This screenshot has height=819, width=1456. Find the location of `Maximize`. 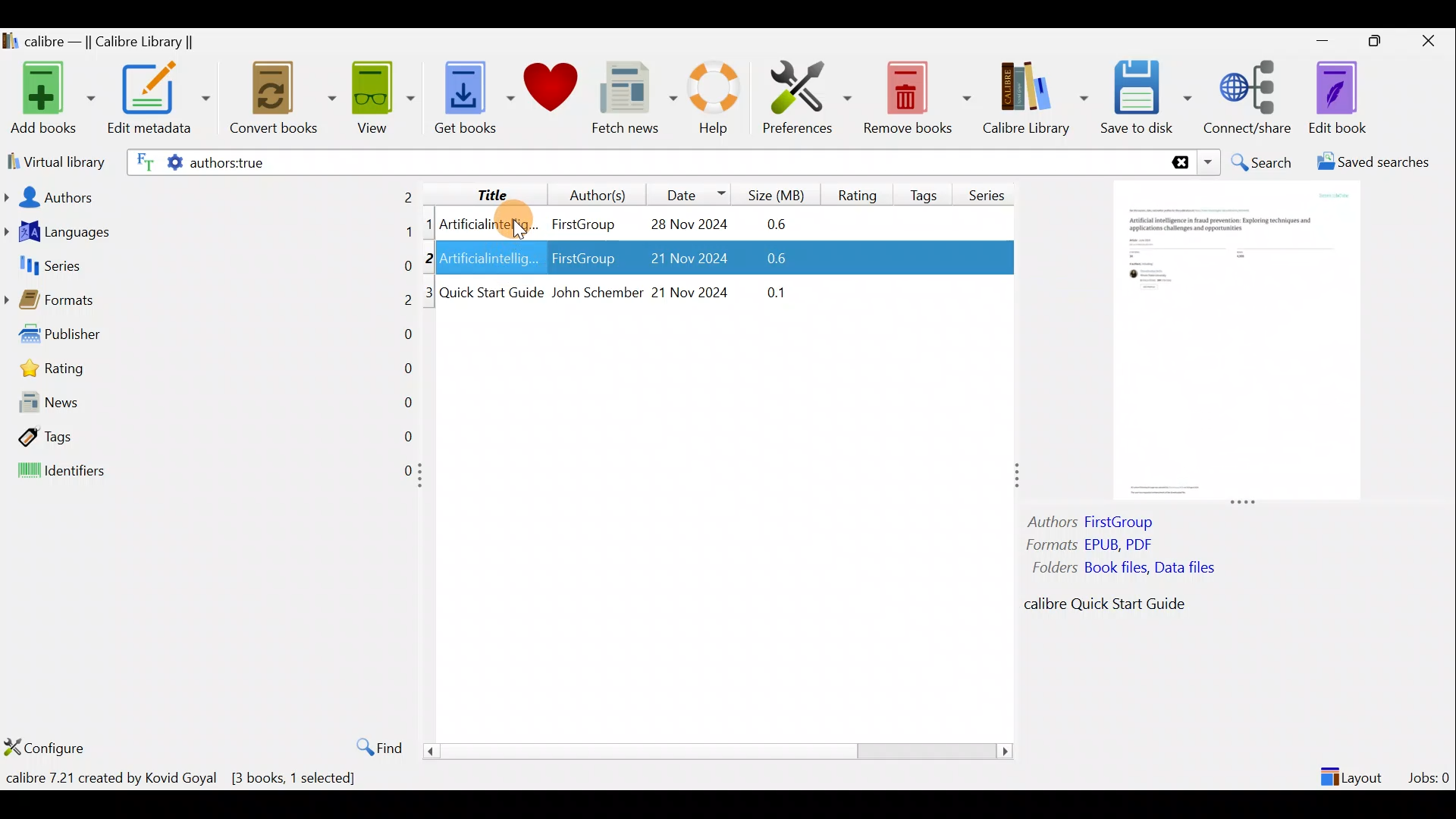

Maximize is located at coordinates (1382, 42).